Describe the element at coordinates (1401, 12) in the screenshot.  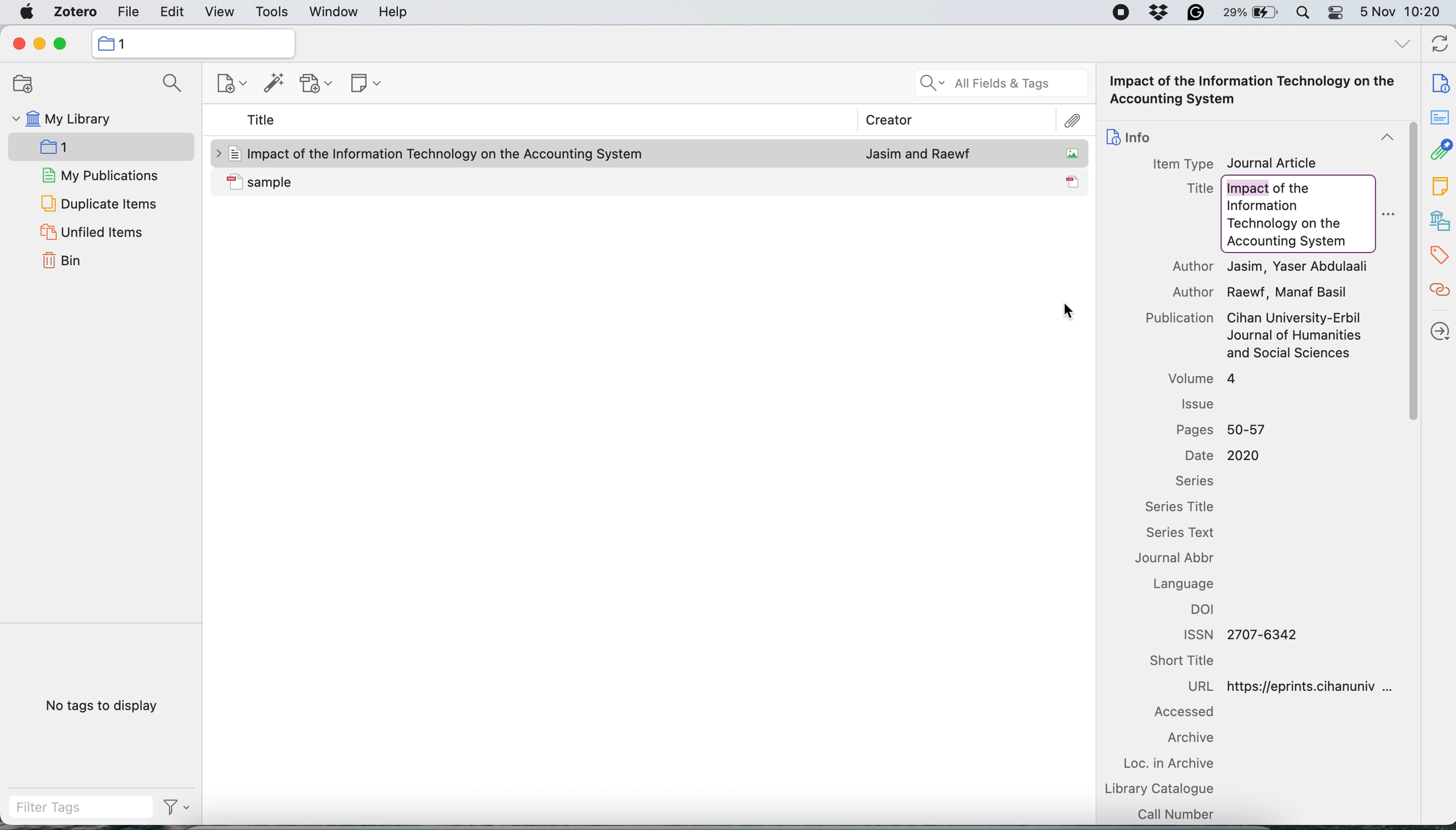
I see `5 Nov 10:20` at that location.